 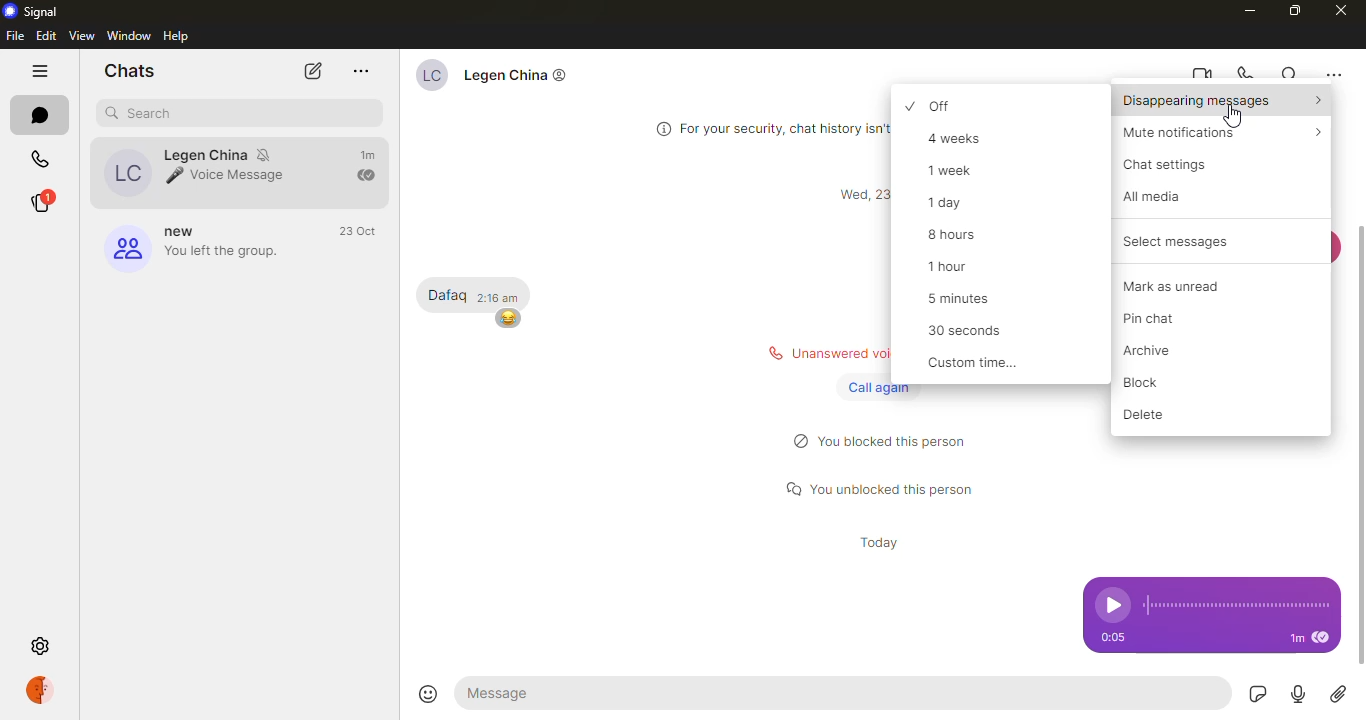 I want to click on time, so click(x=502, y=298).